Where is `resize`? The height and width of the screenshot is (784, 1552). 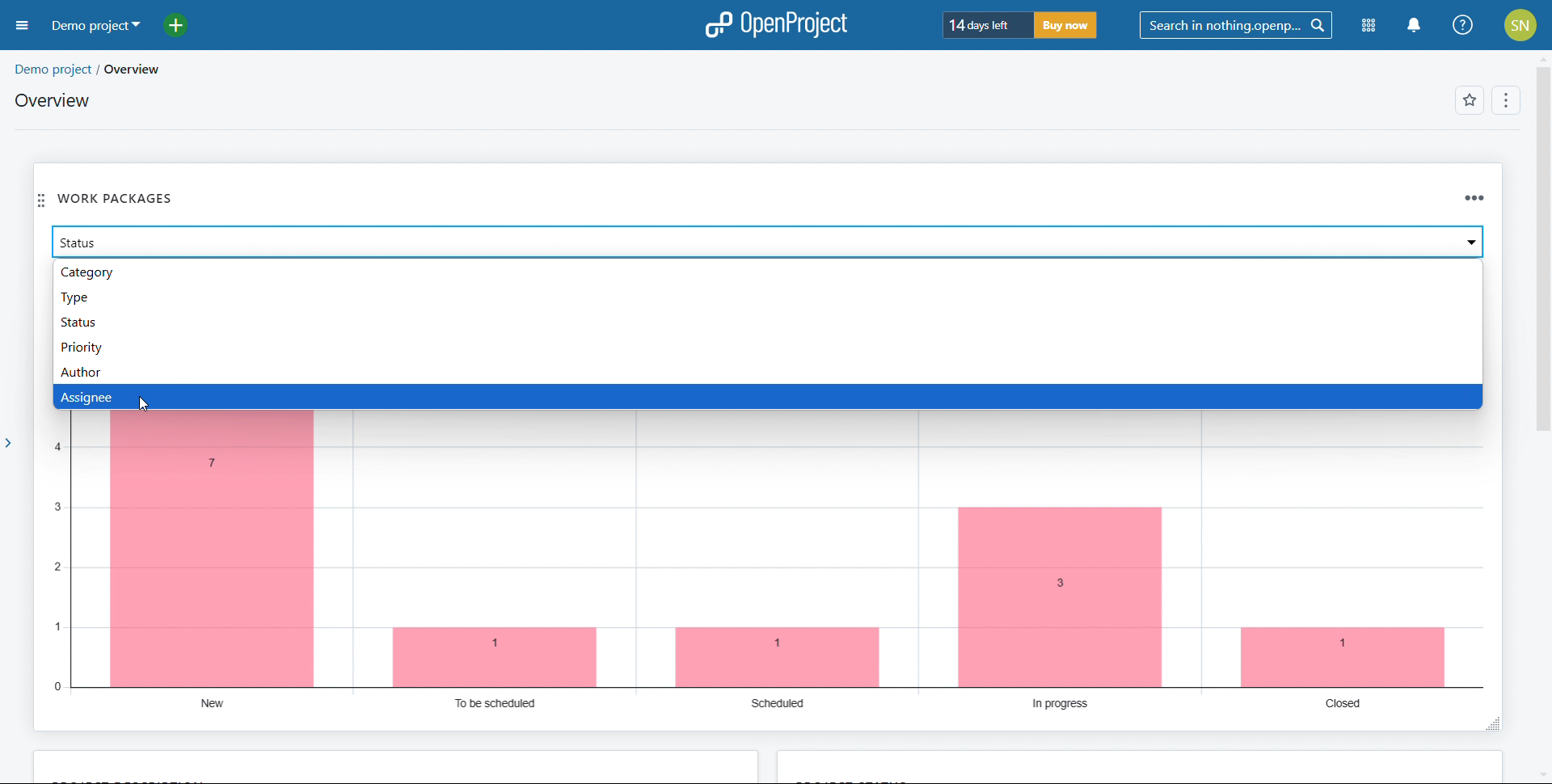 resize is located at coordinates (1491, 726).